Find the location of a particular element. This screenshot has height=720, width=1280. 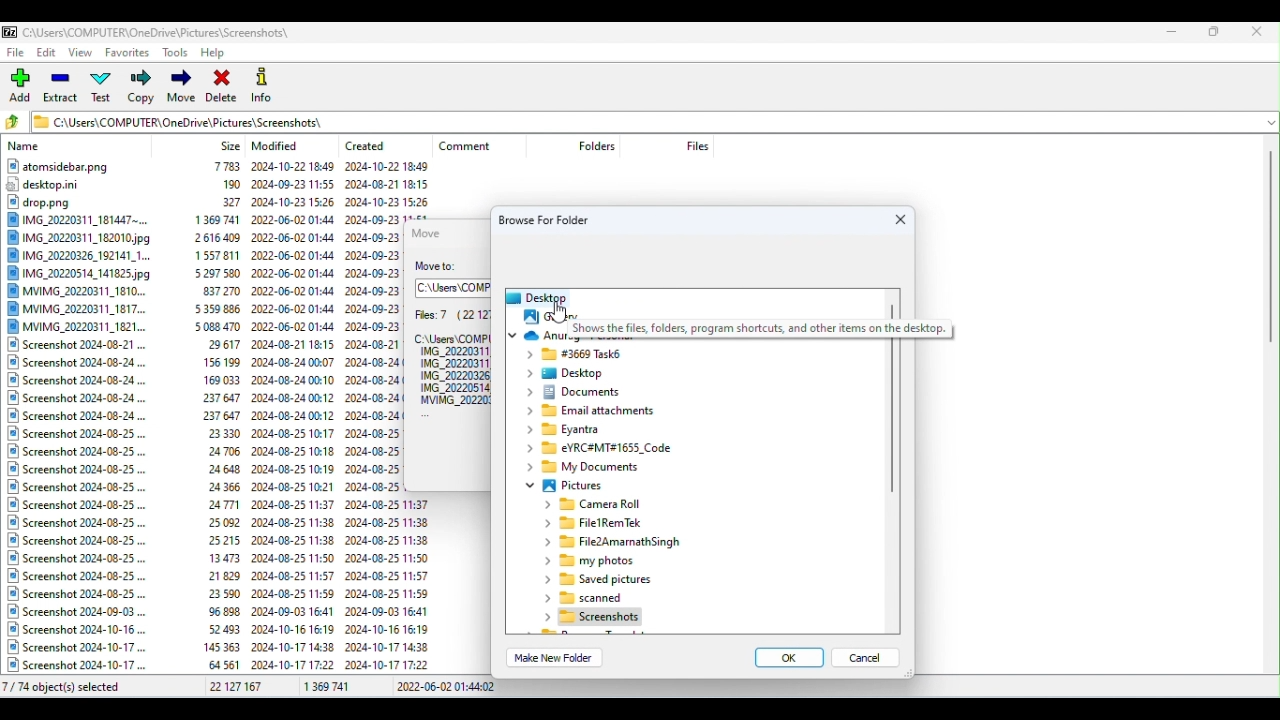

Minimize is located at coordinates (1174, 30).